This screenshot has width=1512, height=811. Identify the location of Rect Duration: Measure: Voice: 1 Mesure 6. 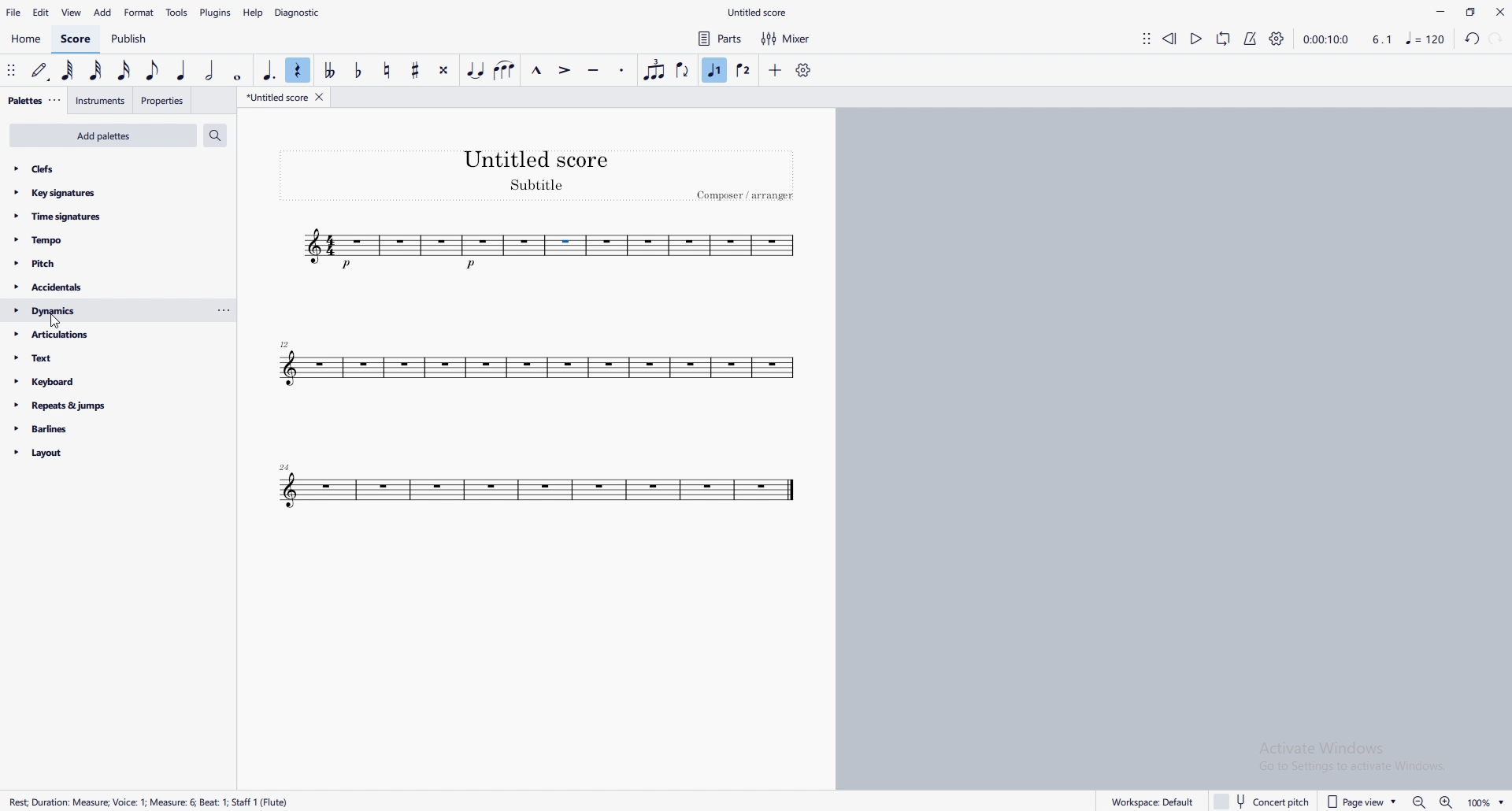
(150, 802).